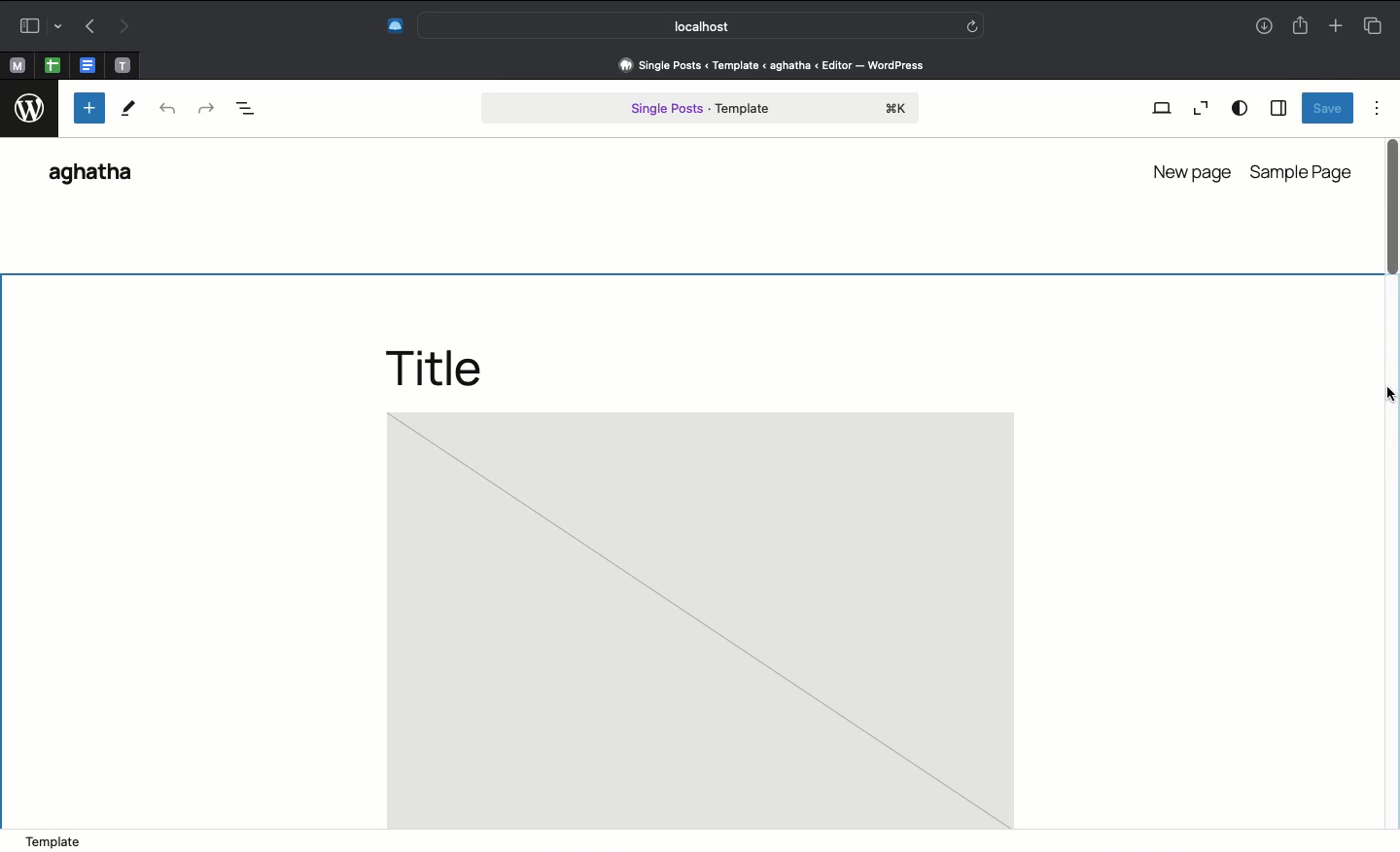 This screenshot has width=1400, height=852. I want to click on Template, so click(53, 839).